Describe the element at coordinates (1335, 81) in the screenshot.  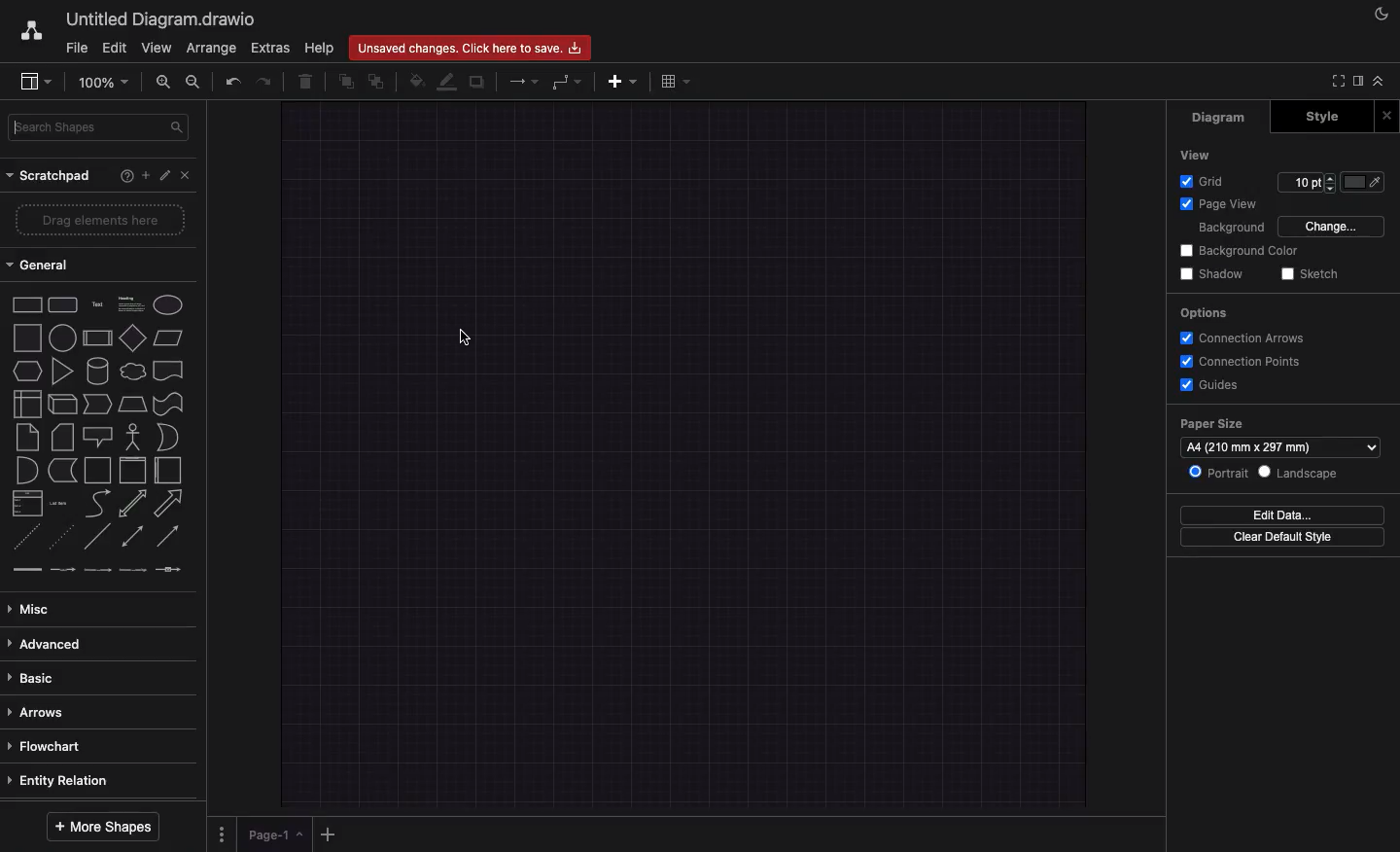
I see `Full screen` at that location.